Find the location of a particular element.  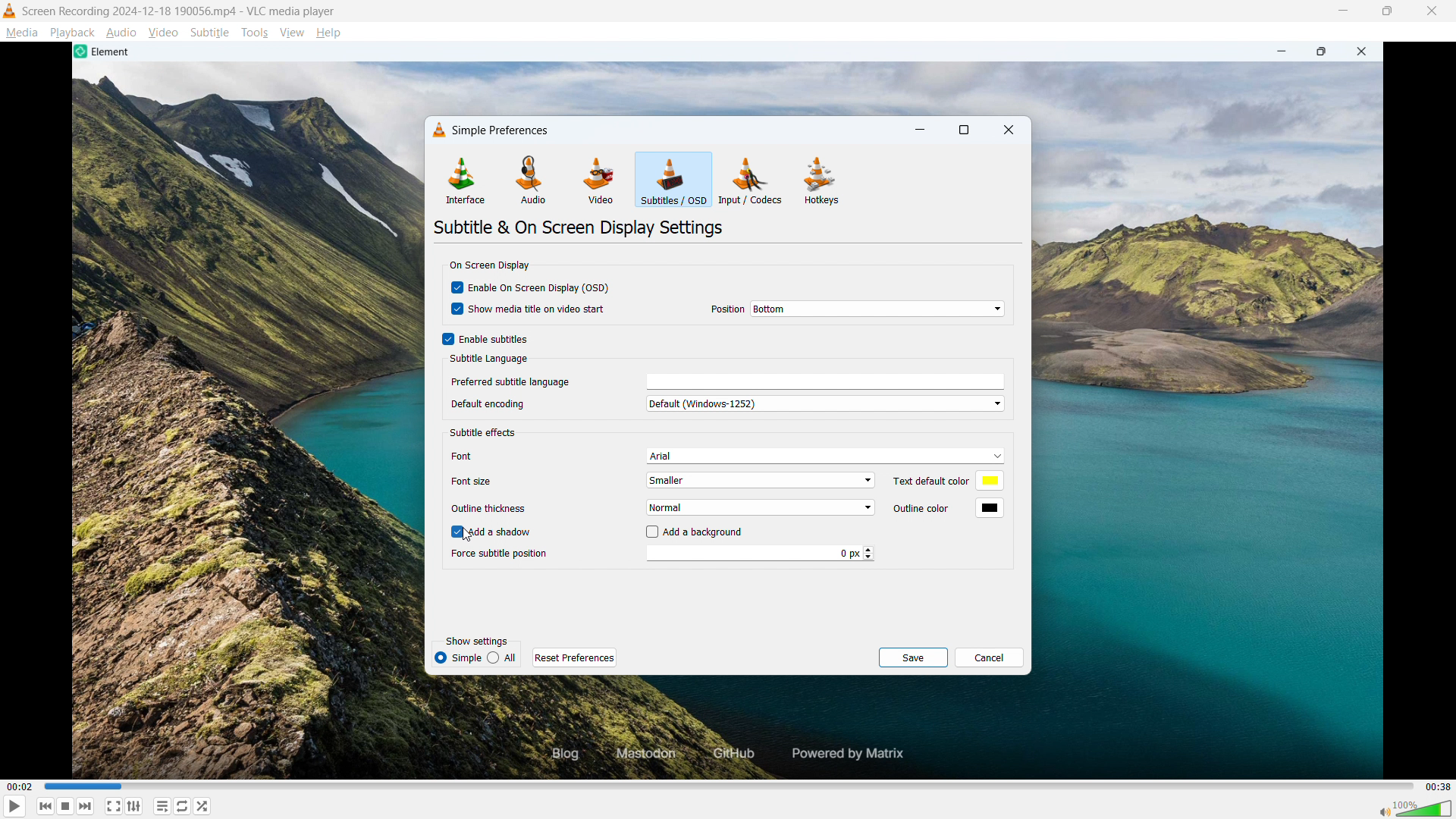

checkbox is located at coordinates (453, 311).